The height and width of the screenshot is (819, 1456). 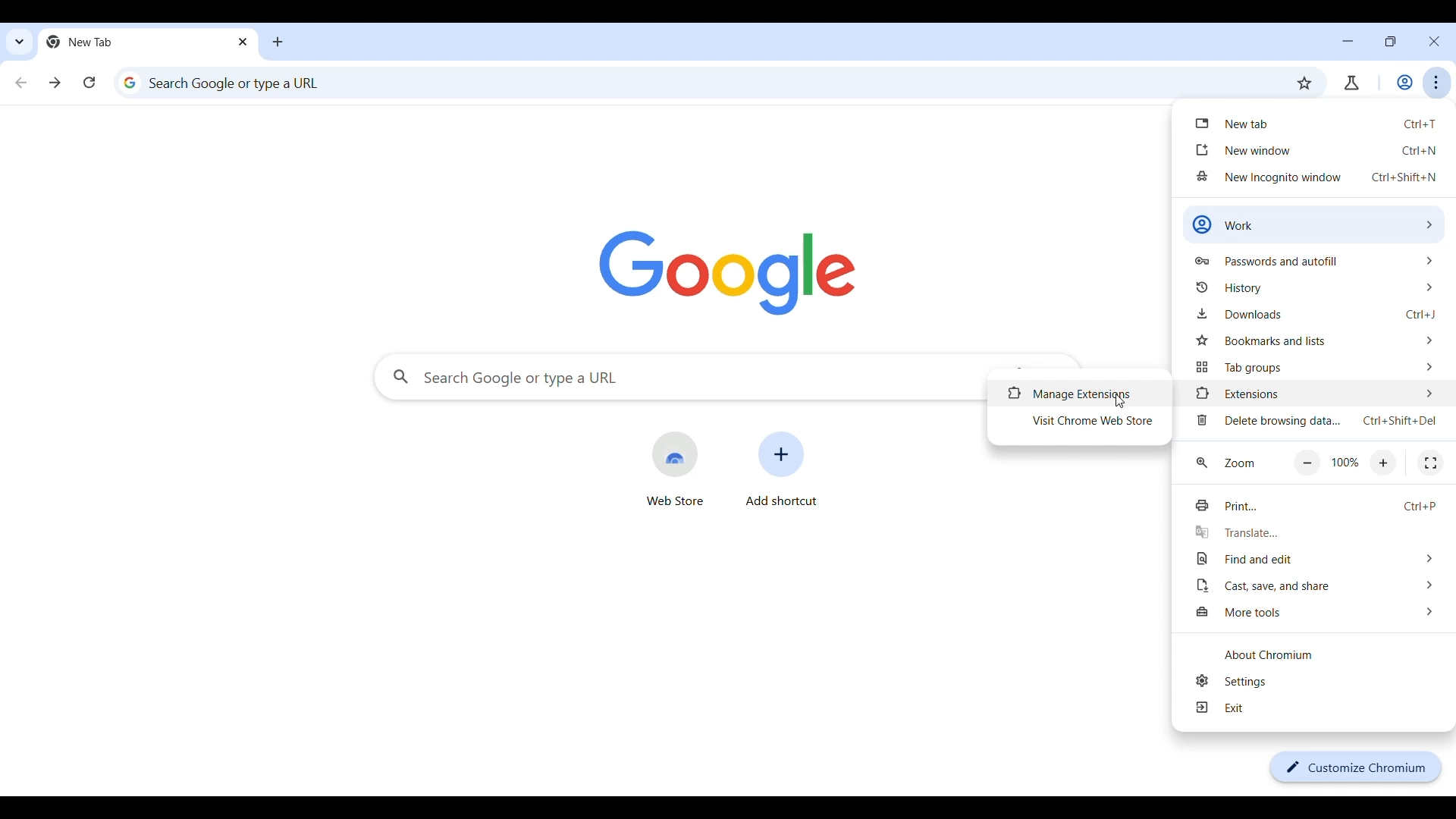 I want to click on Work, so click(x=1404, y=82).